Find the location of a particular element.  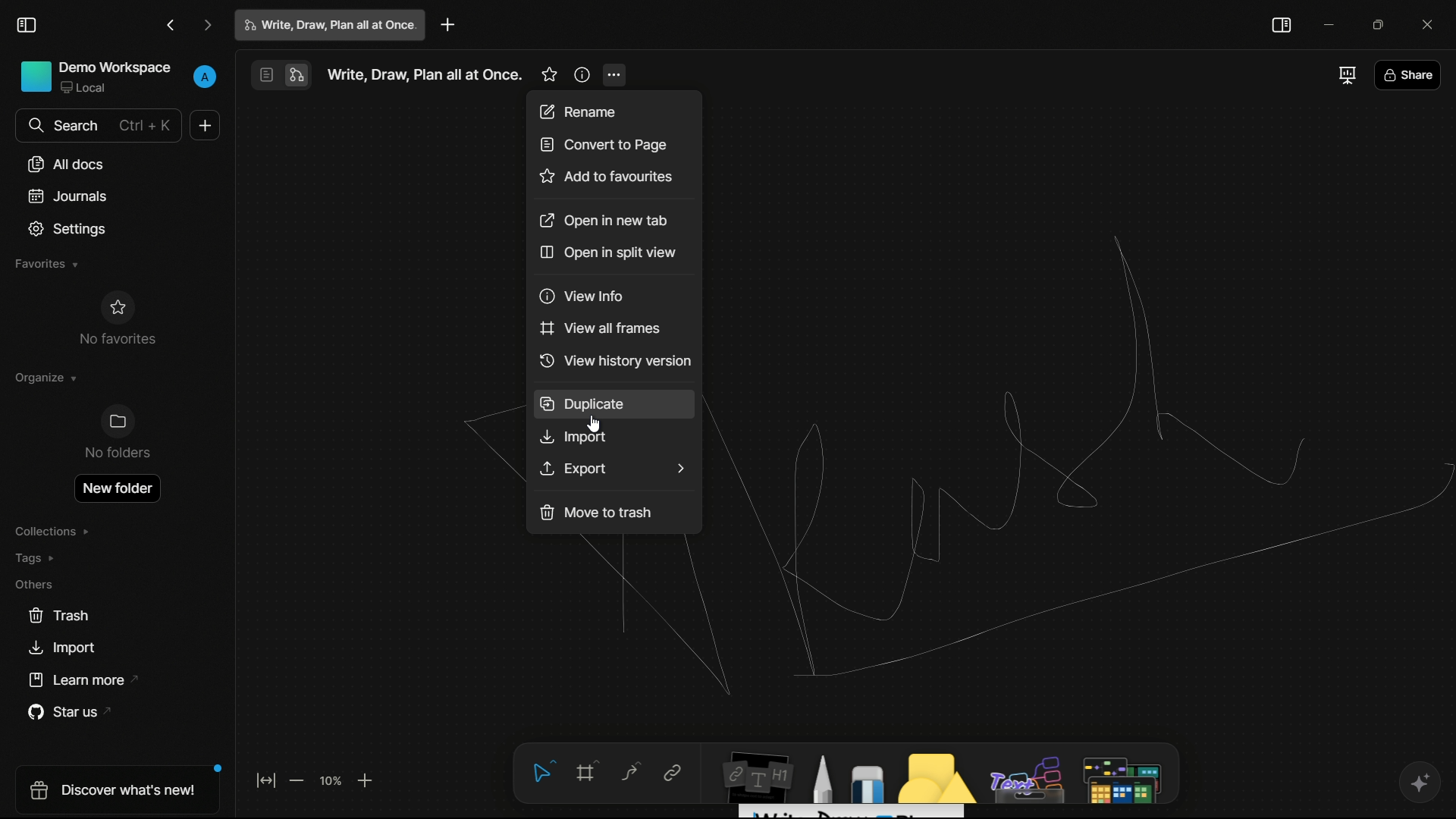

more options is located at coordinates (616, 74).